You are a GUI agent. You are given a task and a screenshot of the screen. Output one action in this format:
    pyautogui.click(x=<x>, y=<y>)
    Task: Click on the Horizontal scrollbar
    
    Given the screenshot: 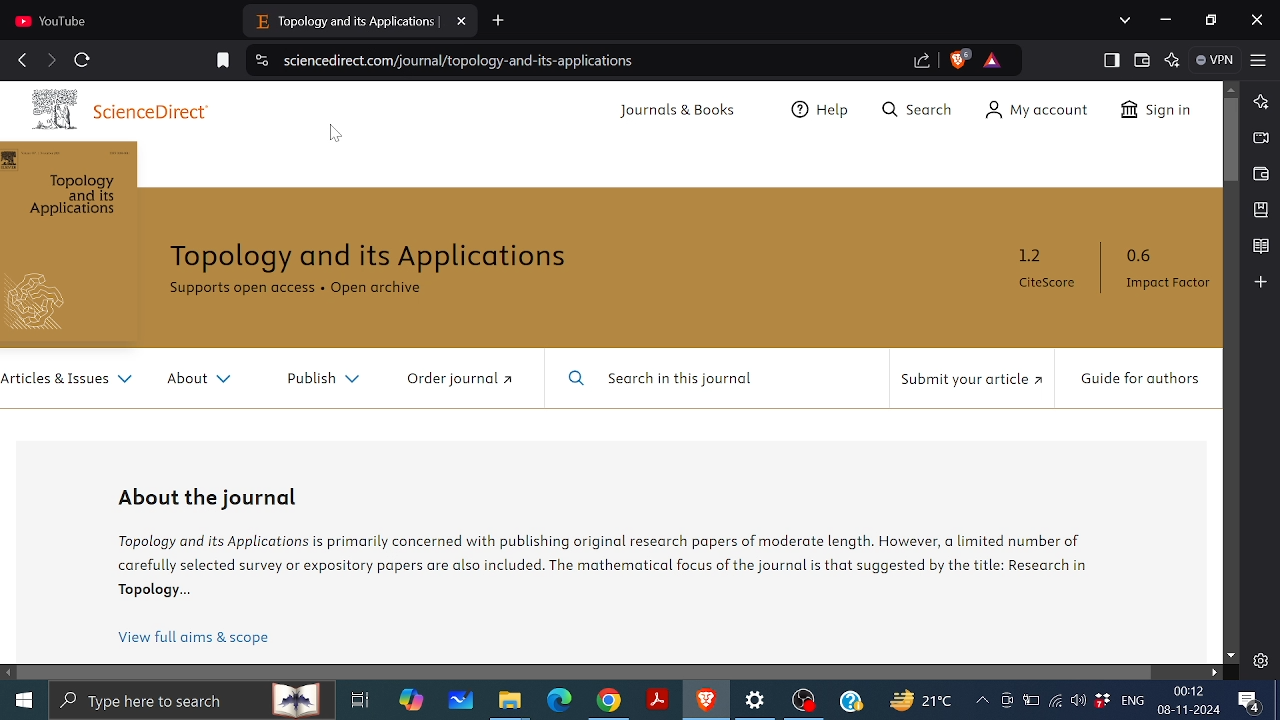 What is the action you would take?
    pyautogui.click(x=586, y=671)
    